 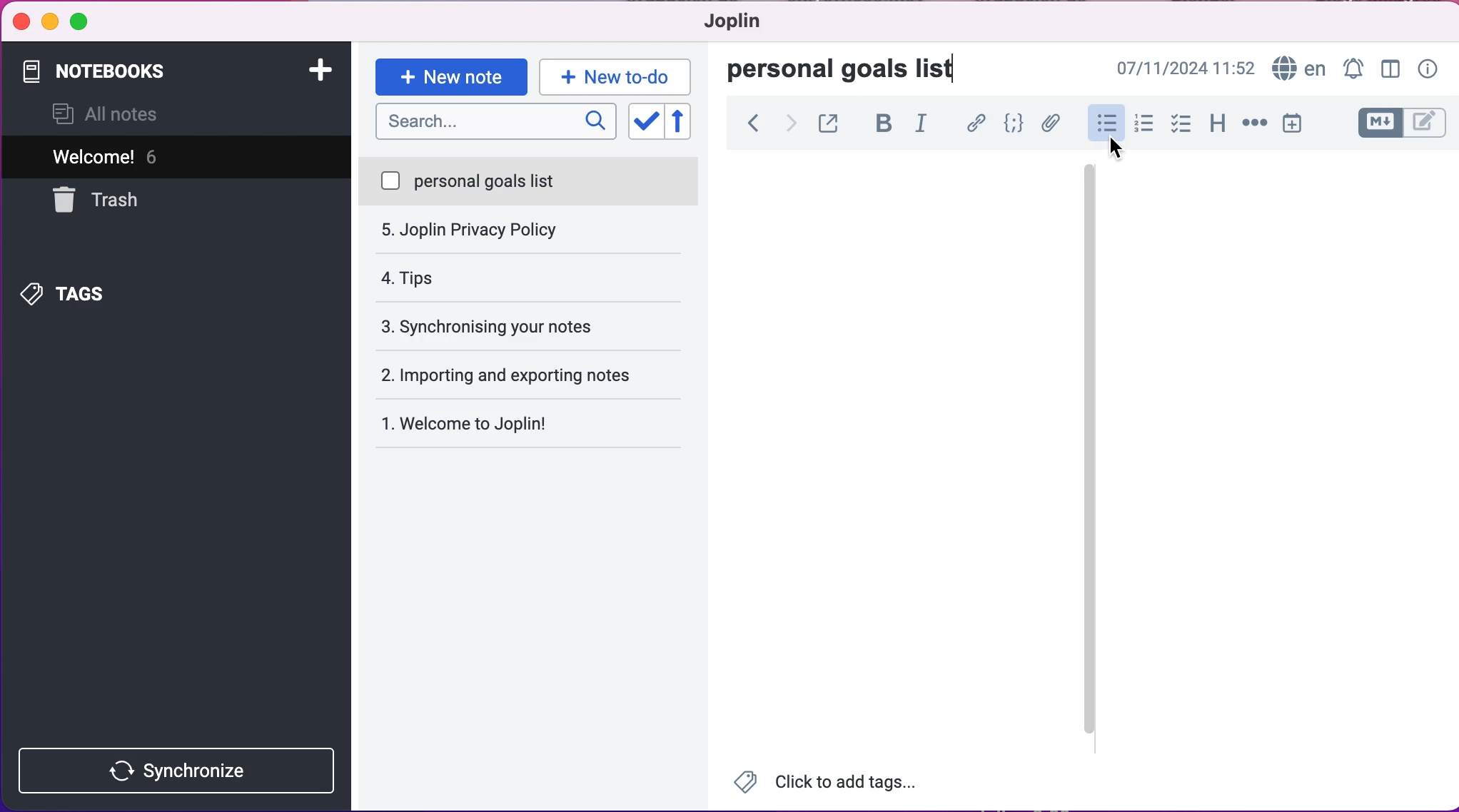 I want to click on search, so click(x=494, y=123).